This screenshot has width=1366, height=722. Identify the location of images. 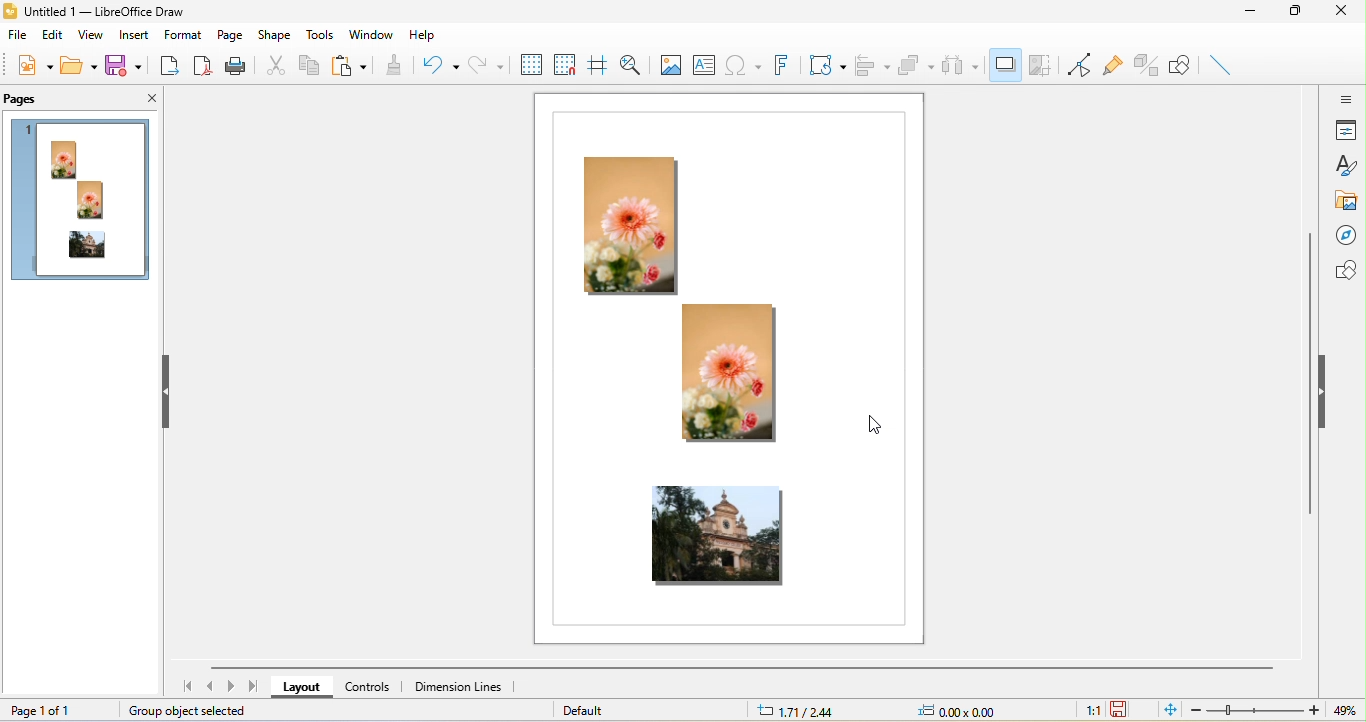
(728, 375).